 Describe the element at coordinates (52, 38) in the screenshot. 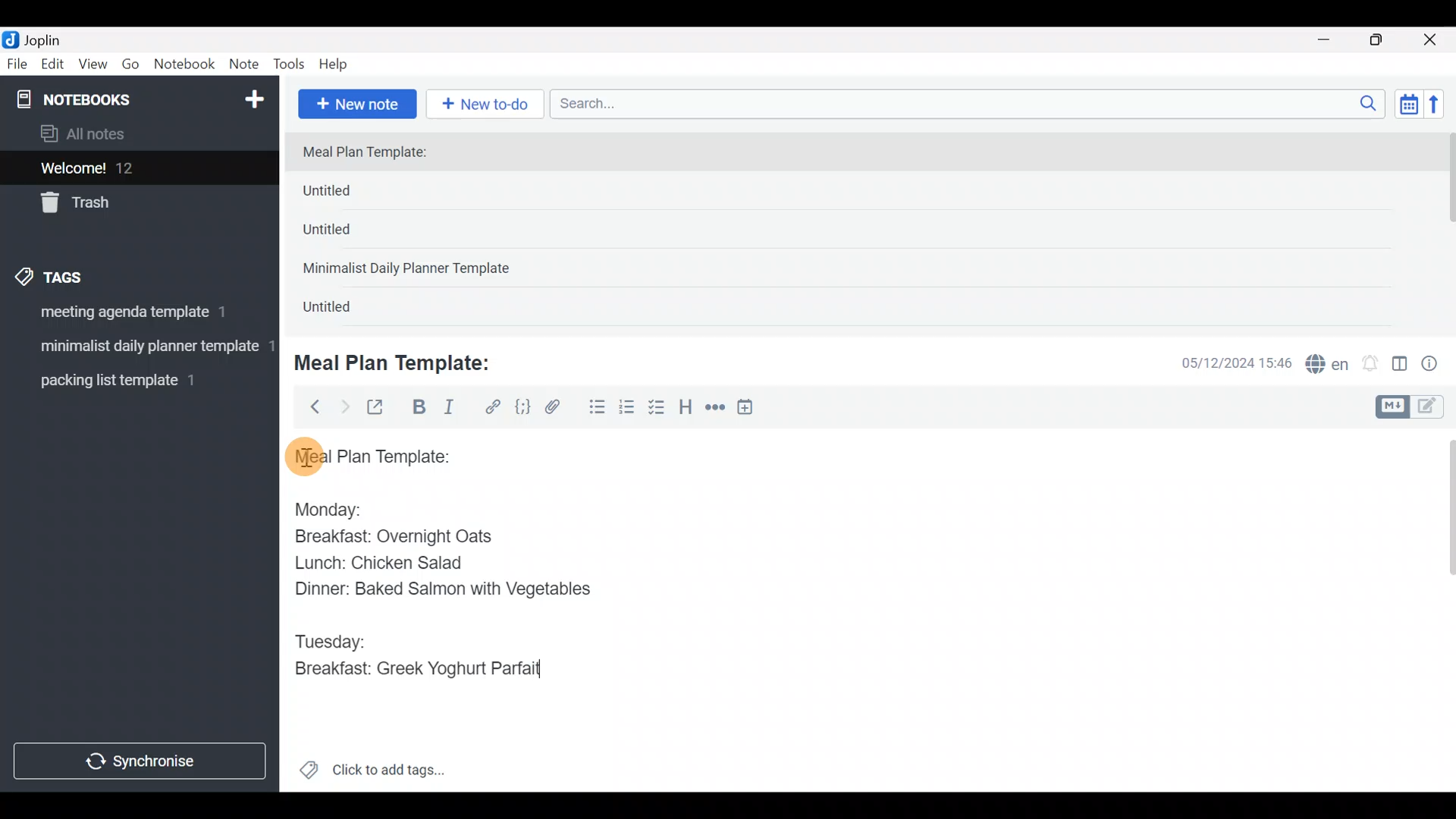

I see `Joplin` at that location.